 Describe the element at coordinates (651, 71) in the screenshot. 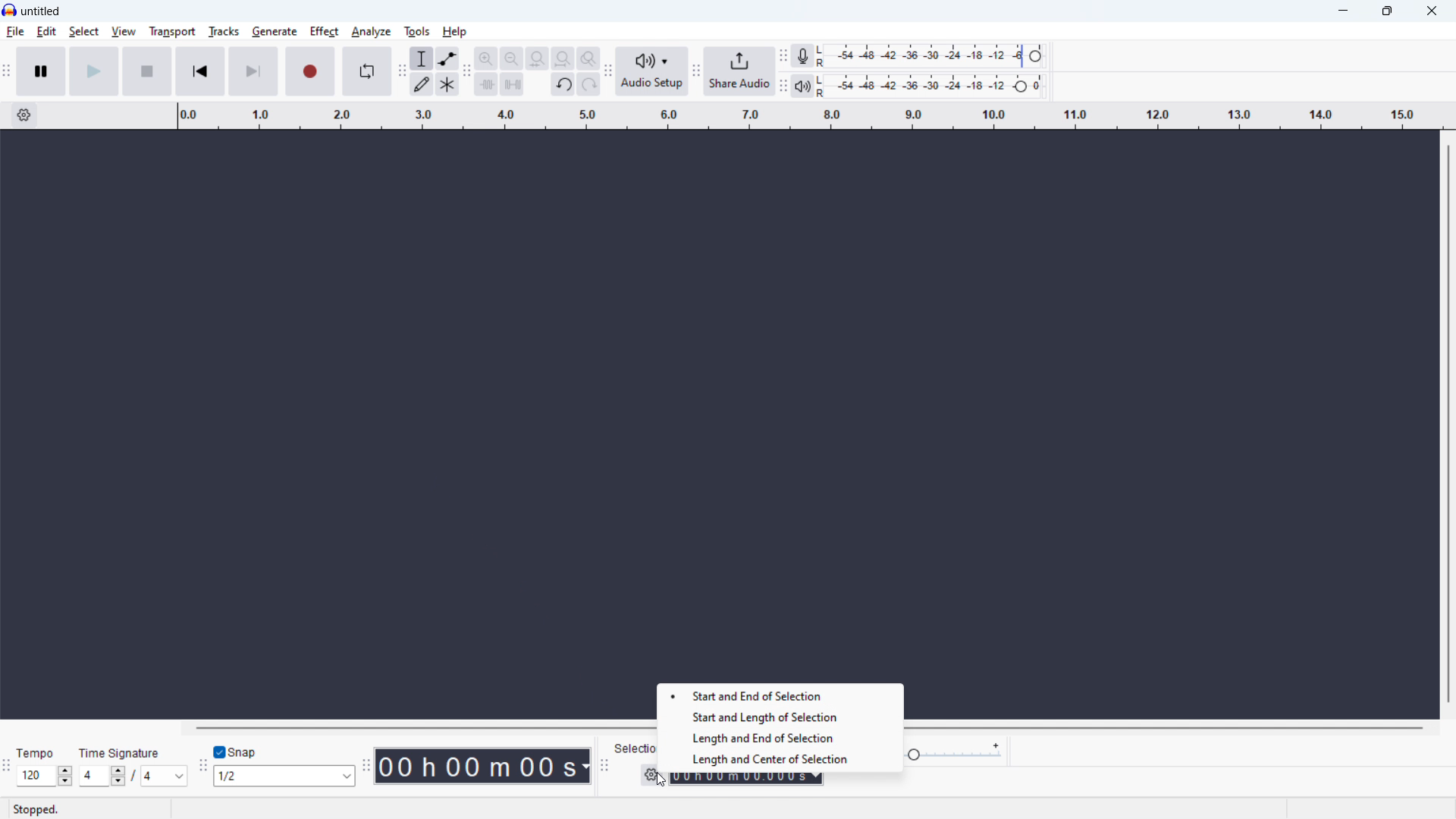

I see `audio setup` at that location.